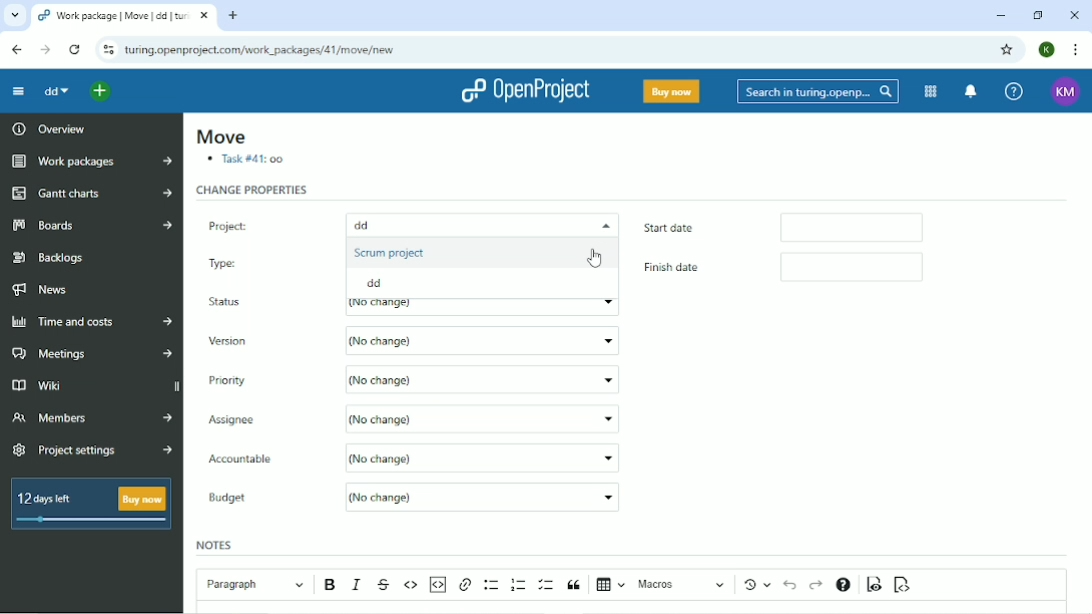 The width and height of the screenshot is (1092, 614). Describe the element at coordinates (236, 379) in the screenshot. I see `Priority` at that location.